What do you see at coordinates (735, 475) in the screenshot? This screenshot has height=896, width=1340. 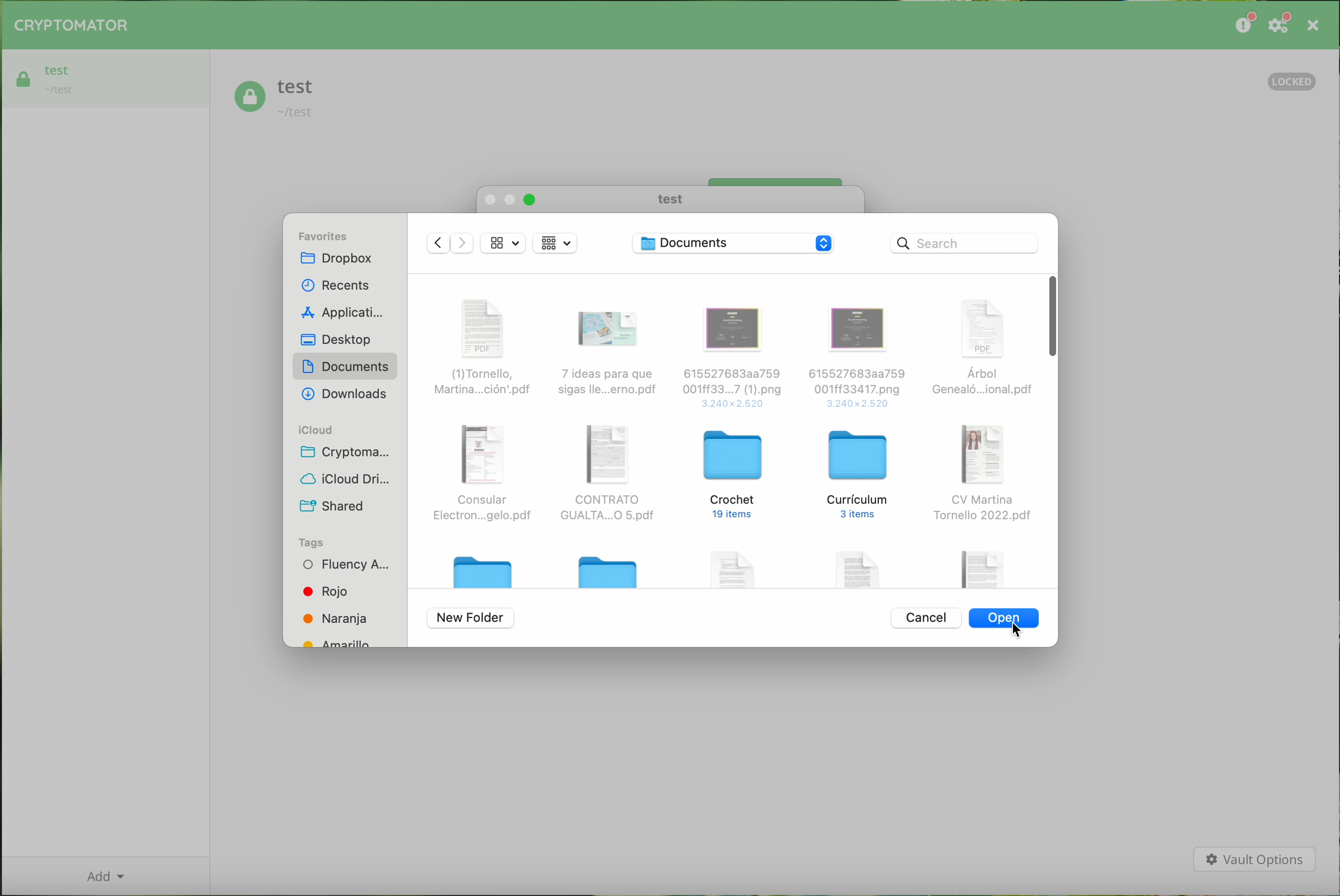 I see `crochet` at bounding box center [735, 475].